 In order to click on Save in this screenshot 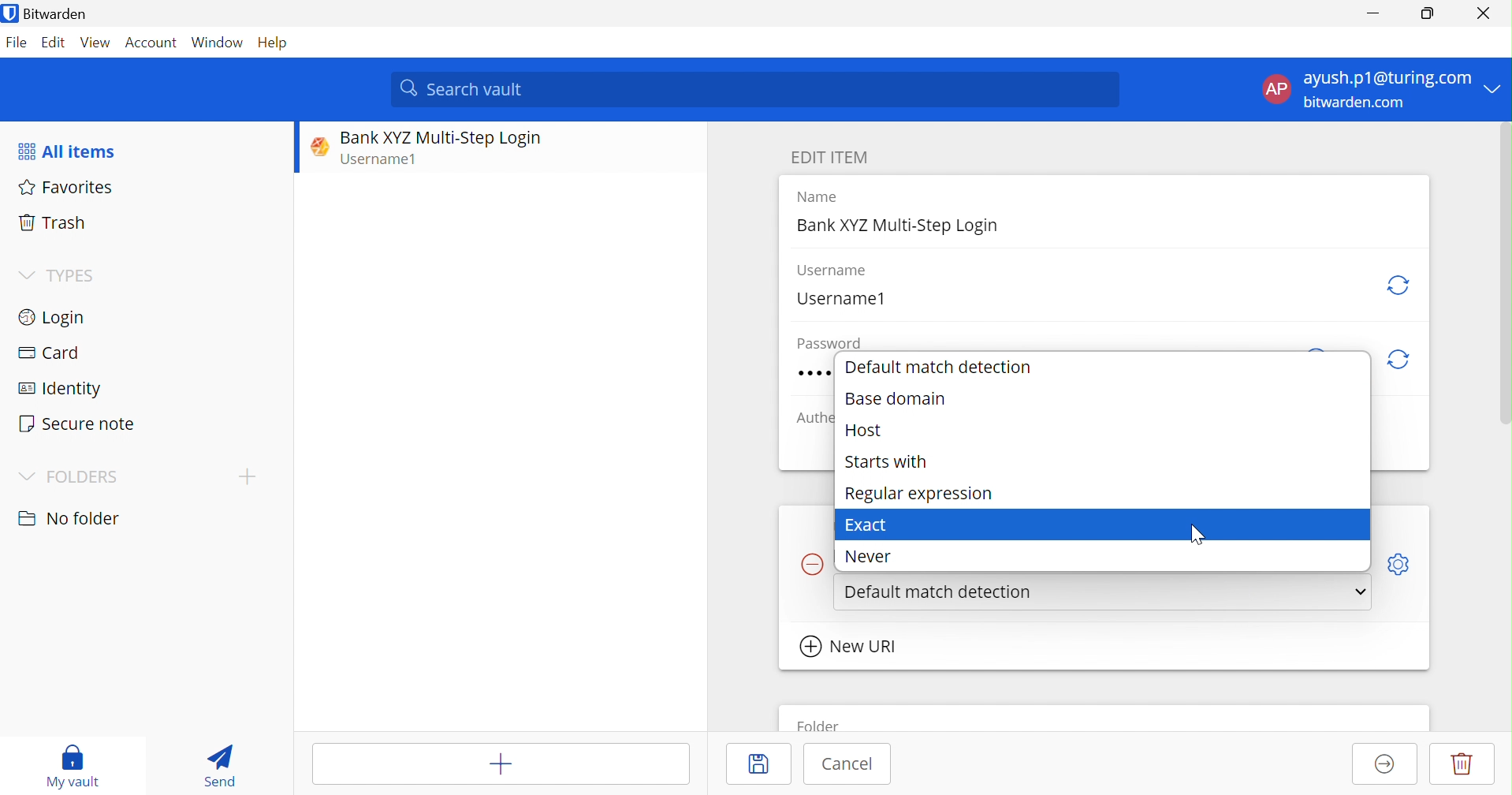, I will do `click(763, 763)`.